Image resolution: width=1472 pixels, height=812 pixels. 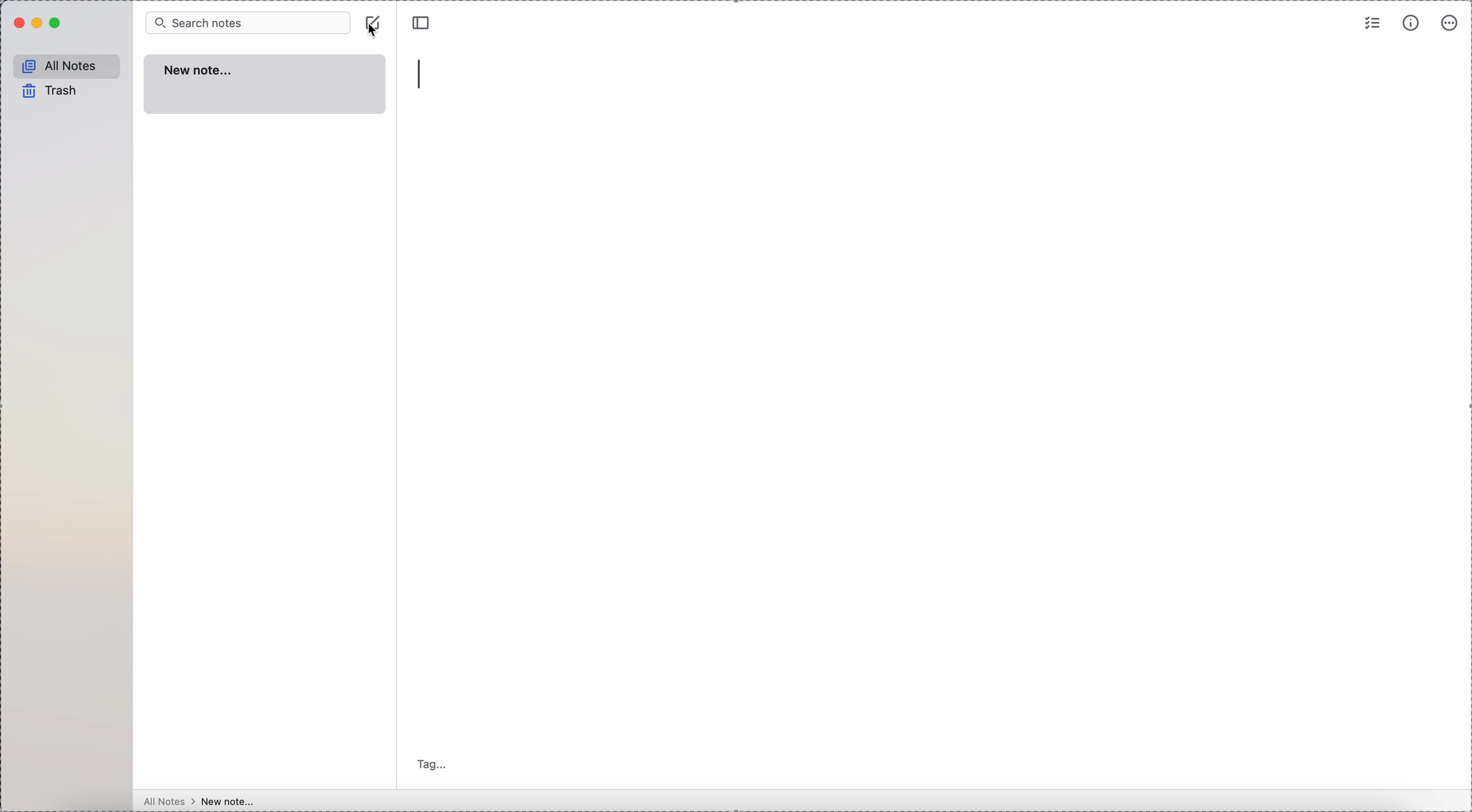 What do you see at coordinates (249, 23) in the screenshot?
I see `search bar` at bounding box center [249, 23].